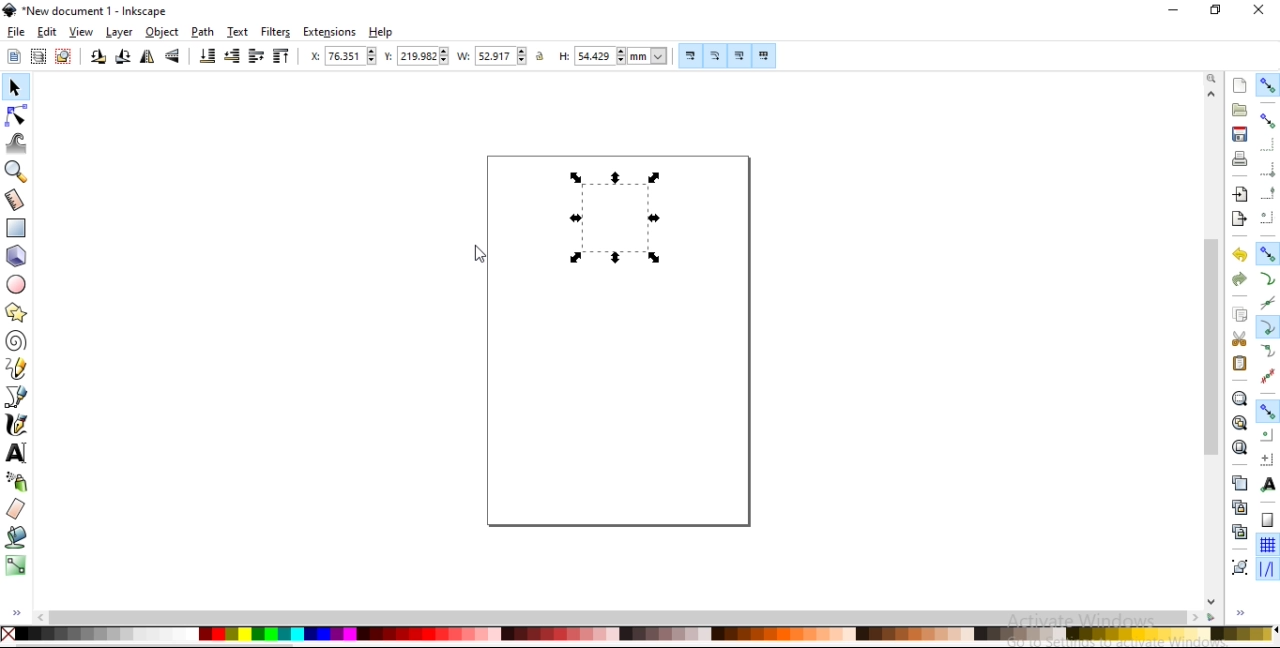  I want to click on new document 1 -Inksacpe, so click(92, 11).